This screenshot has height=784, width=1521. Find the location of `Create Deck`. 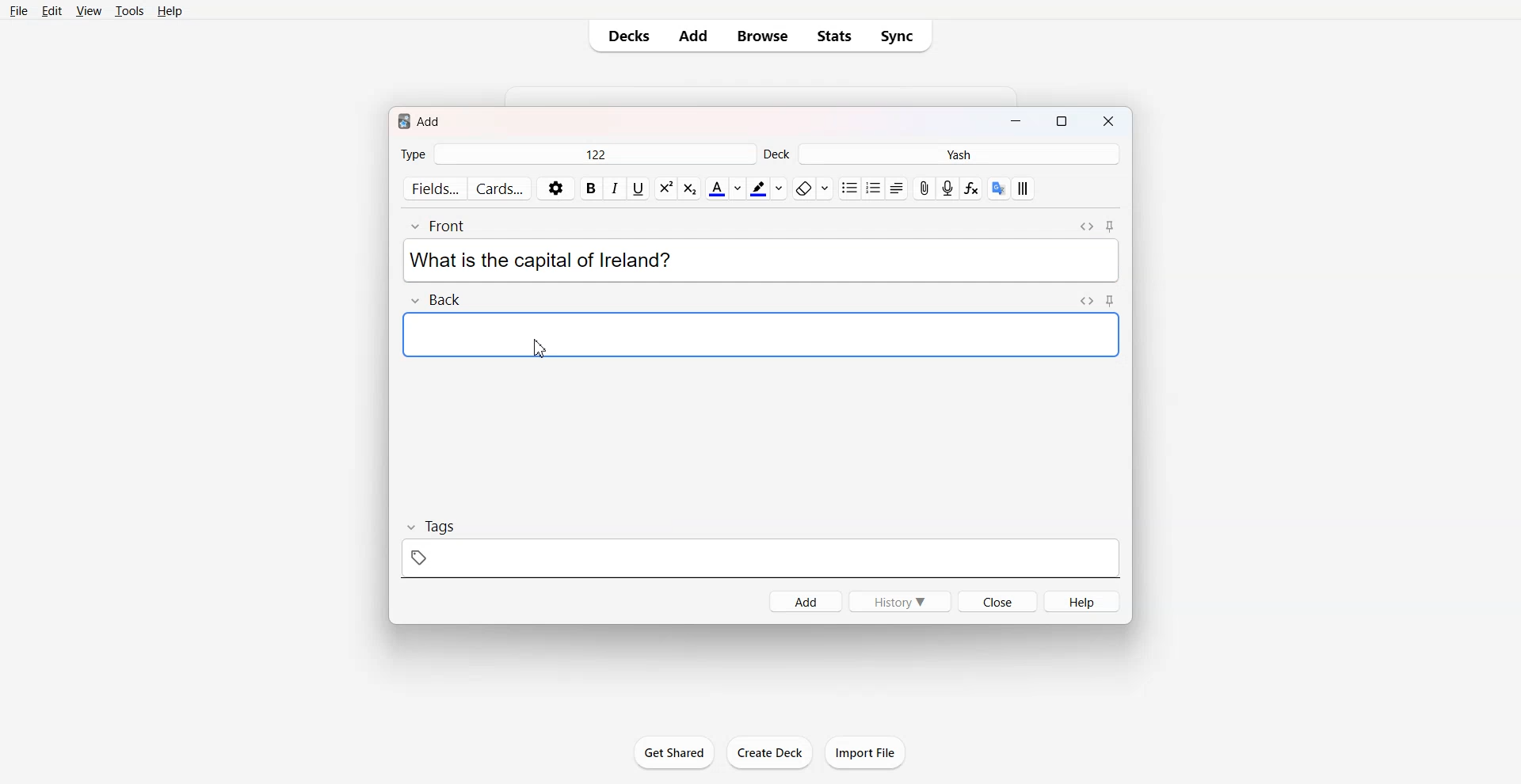

Create Deck is located at coordinates (769, 752).